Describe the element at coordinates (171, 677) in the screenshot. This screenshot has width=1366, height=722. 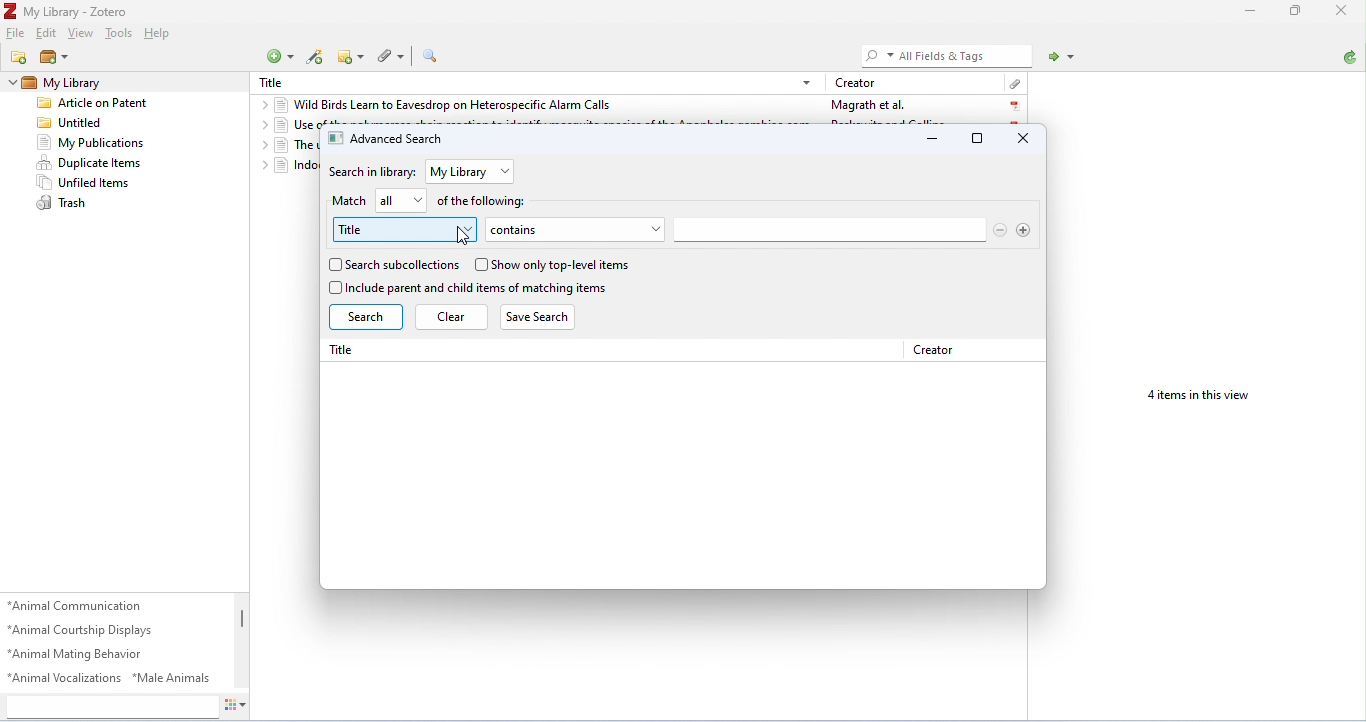
I see `male animals` at that location.